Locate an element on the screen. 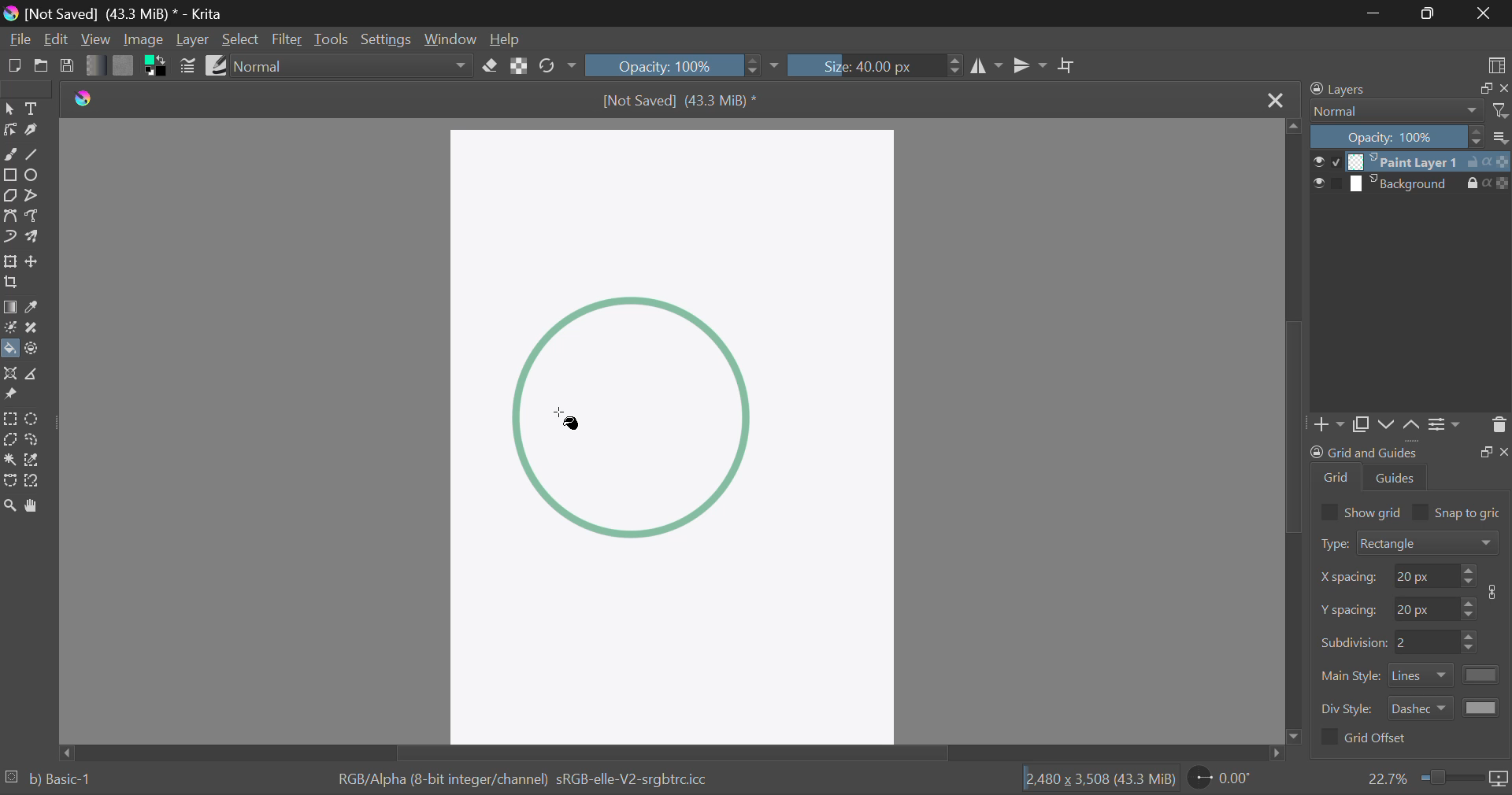 The image size is (1512, 795). Dynamic Brush is located at coordinates (10, 238).